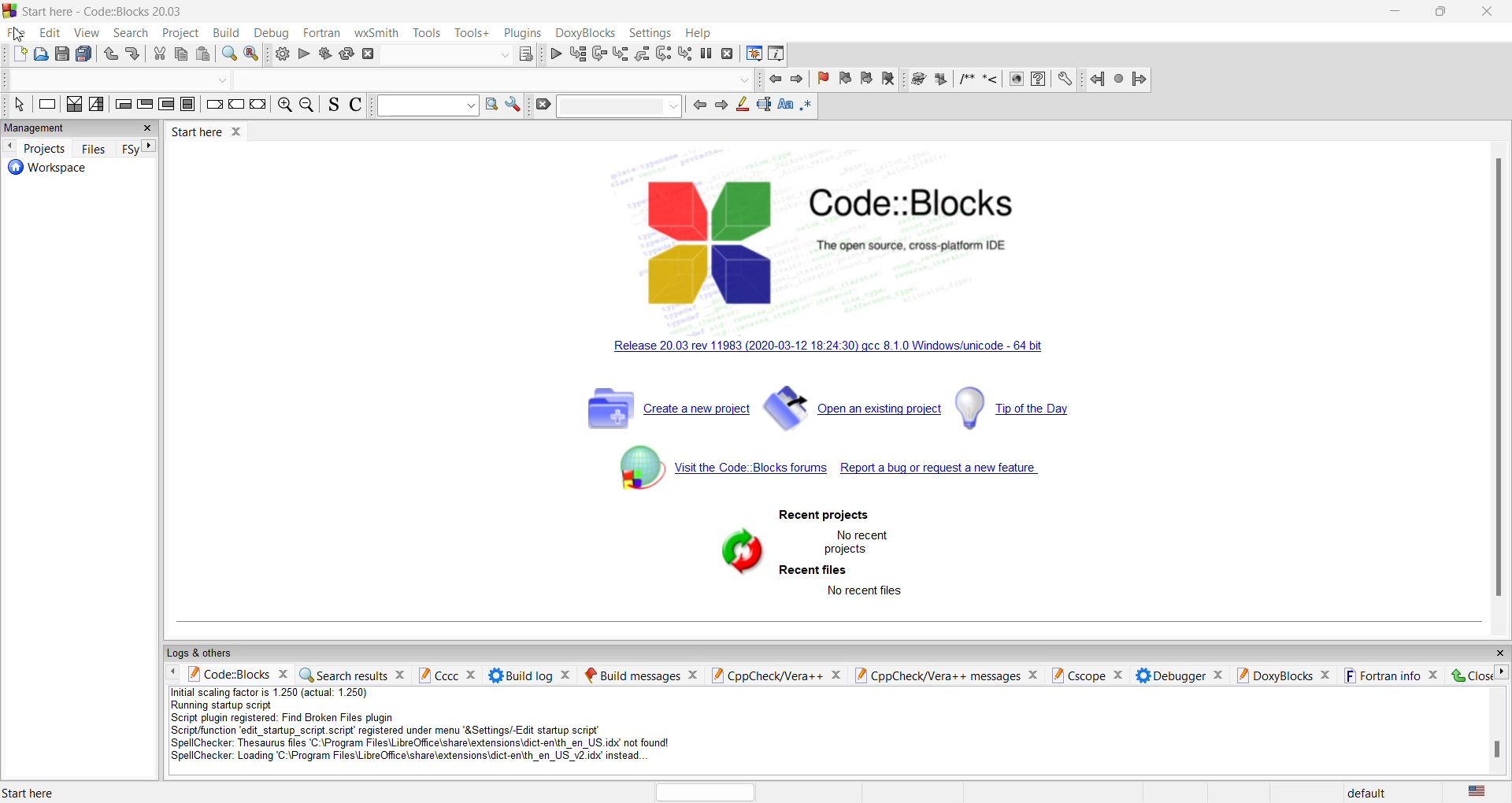  I want to click on no recent files, so click(865, 591).